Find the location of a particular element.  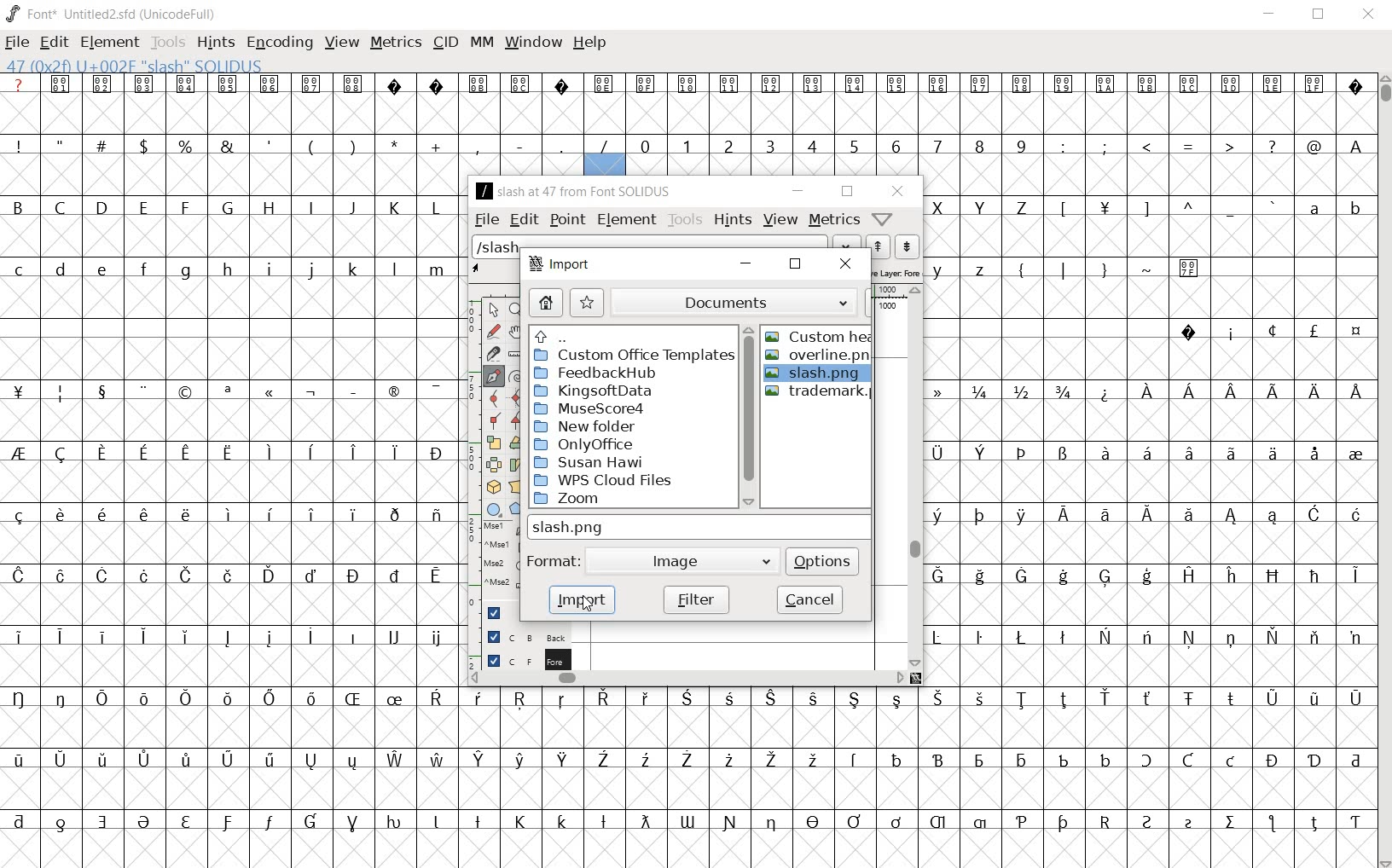

KingsoftData is located at coordinates (594, 391).